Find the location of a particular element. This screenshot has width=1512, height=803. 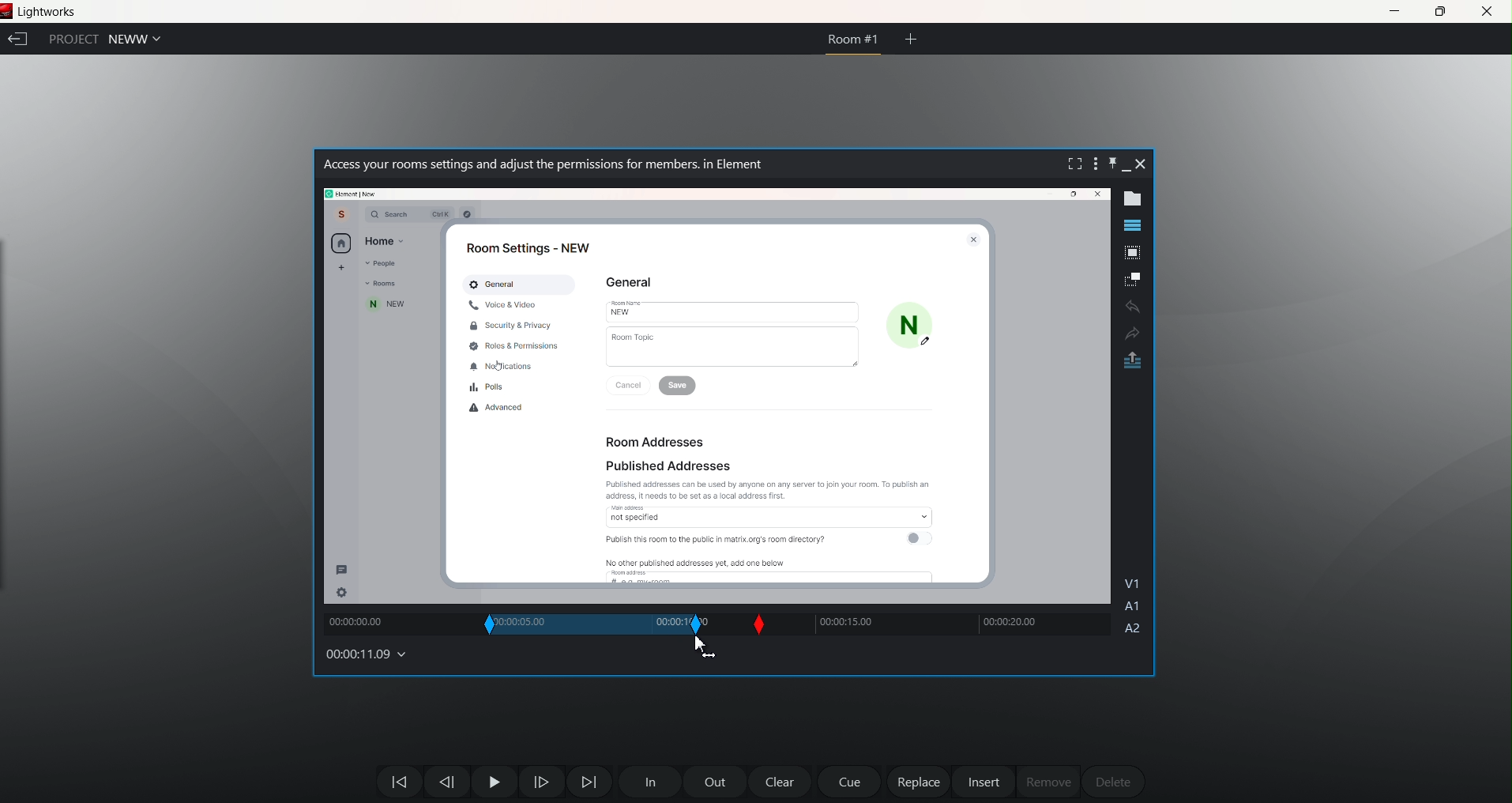

General is located at coordinates (495, 284).